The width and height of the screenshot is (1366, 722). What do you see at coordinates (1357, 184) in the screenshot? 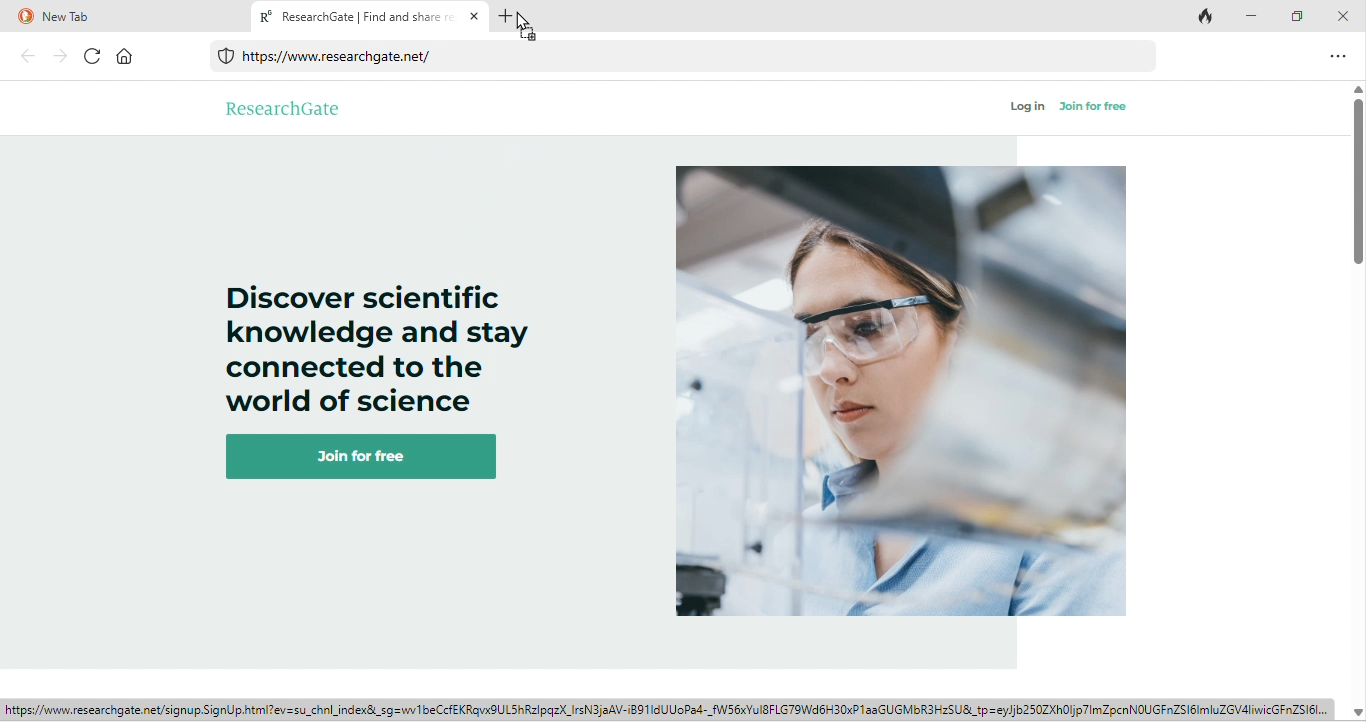
I see `Vertical Scroll bar` at bounding box center [1357, 184].